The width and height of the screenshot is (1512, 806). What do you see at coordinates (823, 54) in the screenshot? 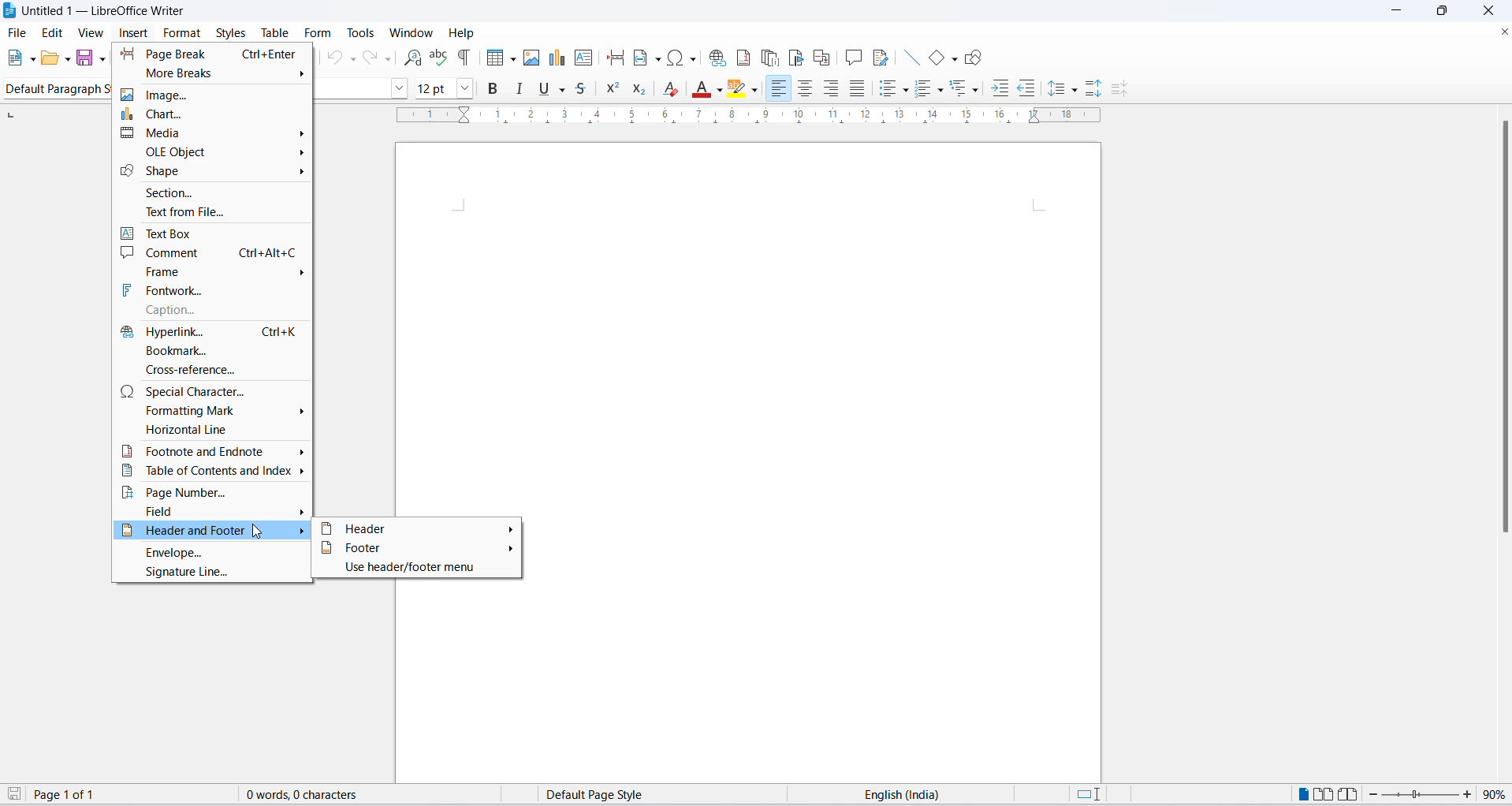
I see `insert cross-reference` at bounding box center [823, 54].